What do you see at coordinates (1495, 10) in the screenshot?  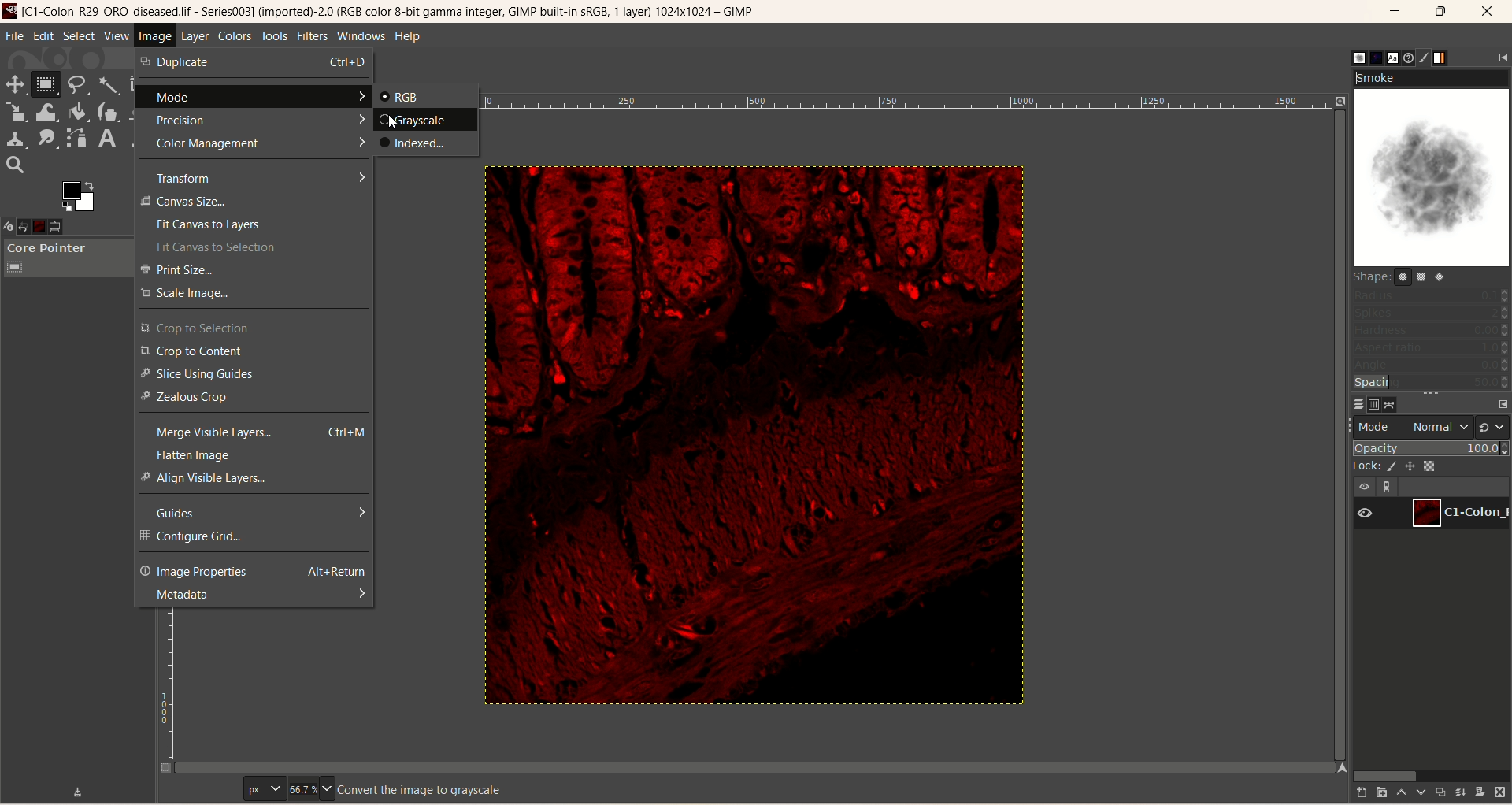 I see `close` at bounding box center [1495, 10].